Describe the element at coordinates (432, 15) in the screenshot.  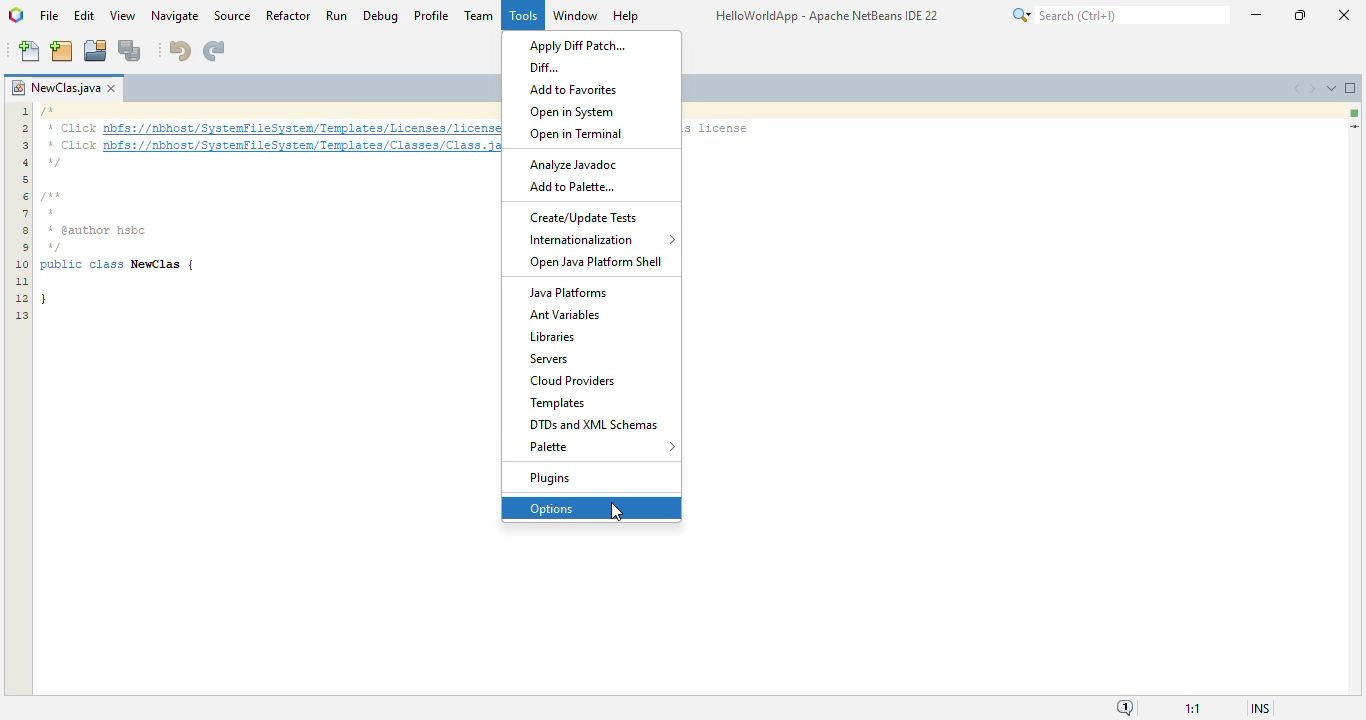
I see `profile` at that location.